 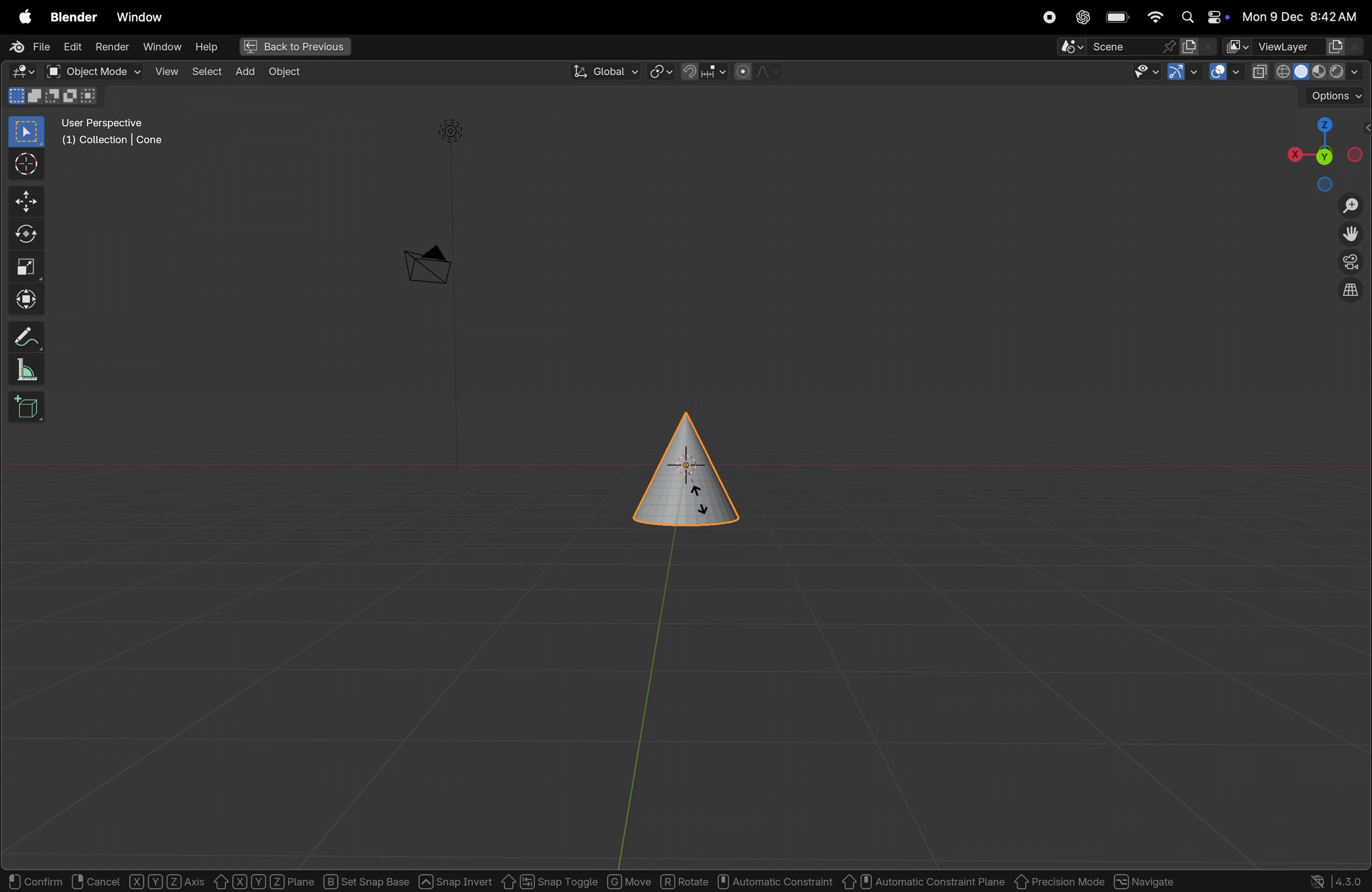 I want to click on render, so click(x=111, y=47).